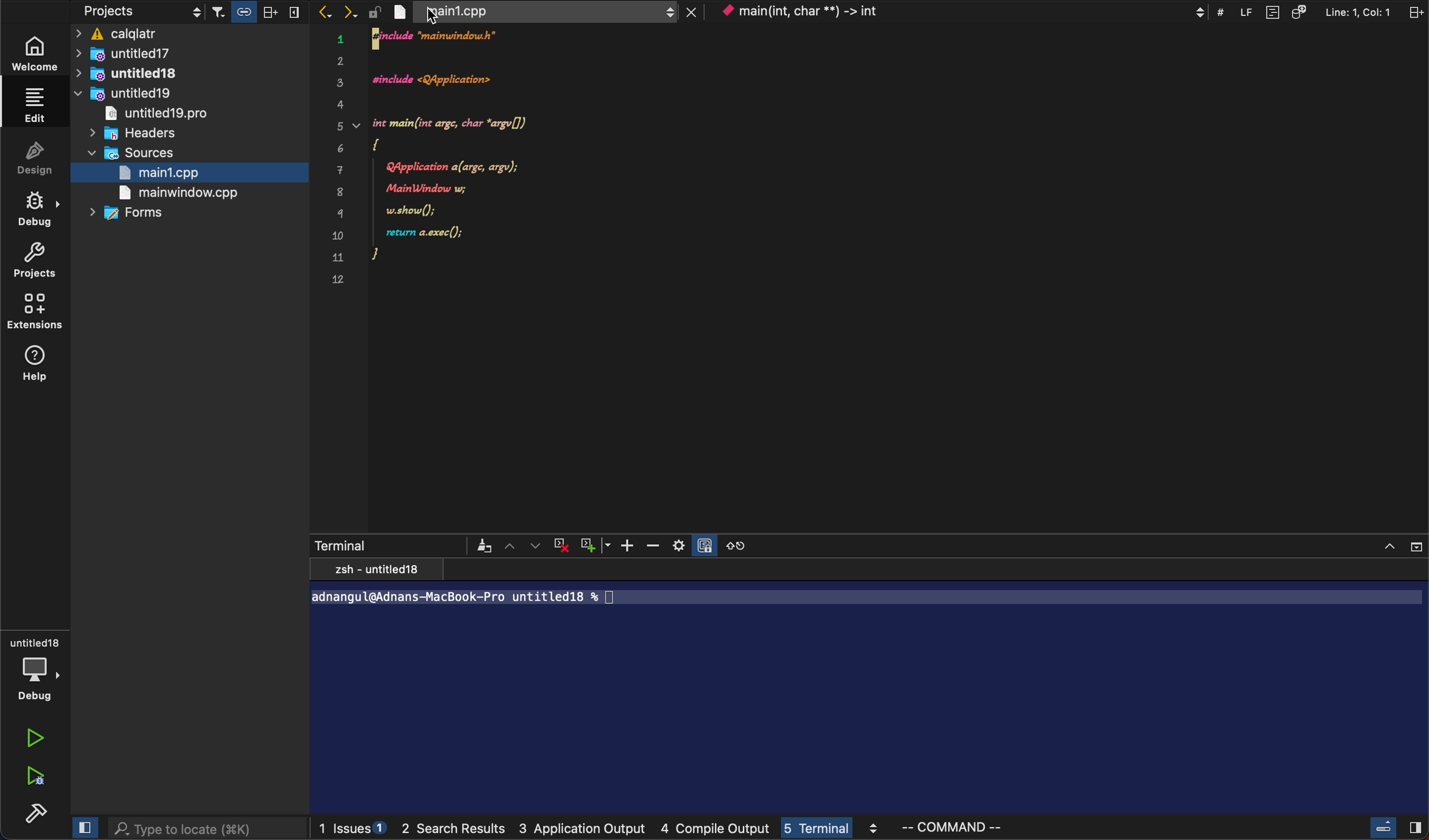 This screenshot has width=1429, height=840. Describe the element at coordinates (836, 829) in the screenshot. I see `terminal` at that location.